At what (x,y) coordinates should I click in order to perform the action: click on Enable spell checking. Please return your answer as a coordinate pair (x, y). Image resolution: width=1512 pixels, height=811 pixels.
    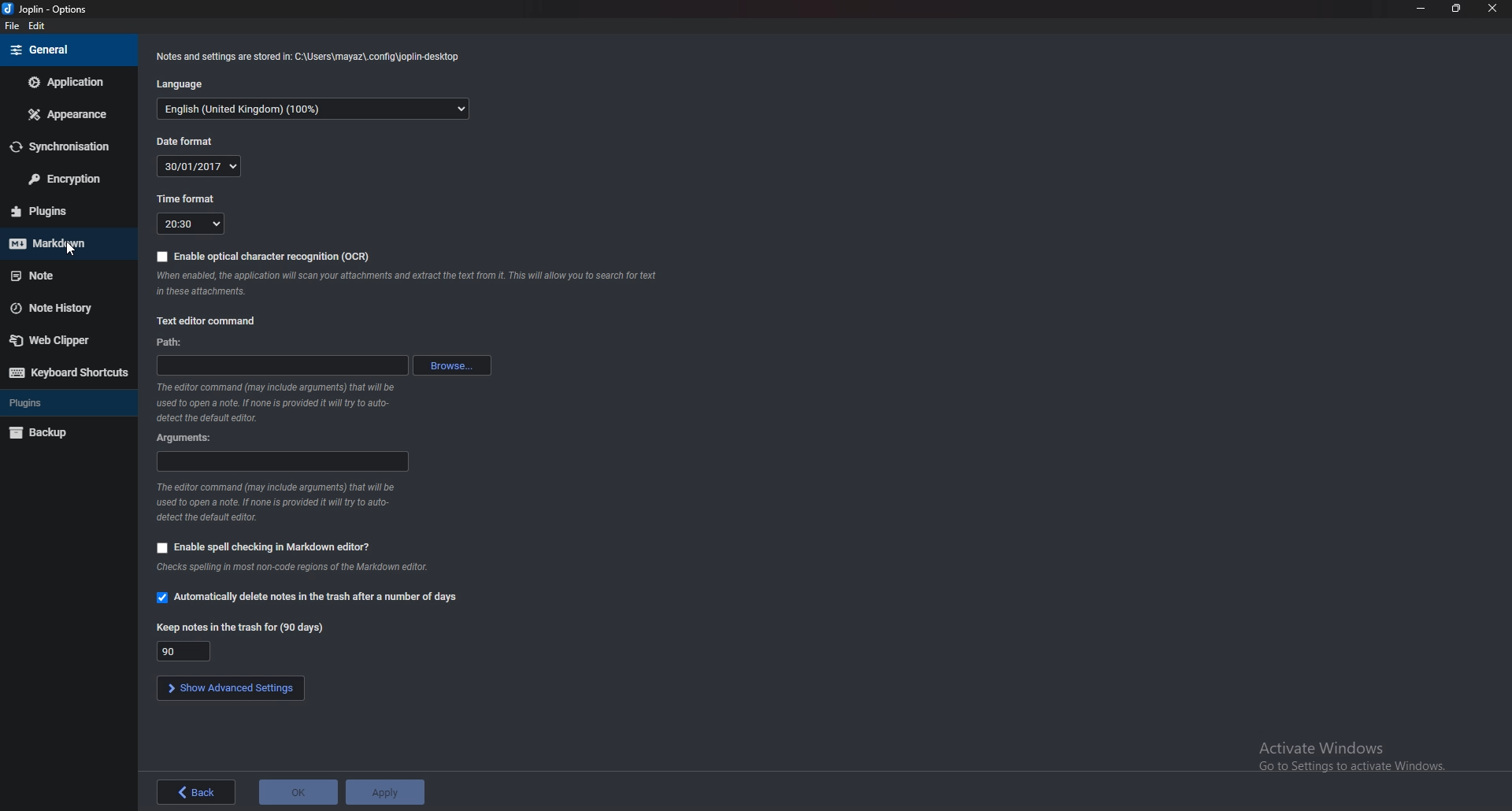
    Looking at the image, I should click on (265, 547).